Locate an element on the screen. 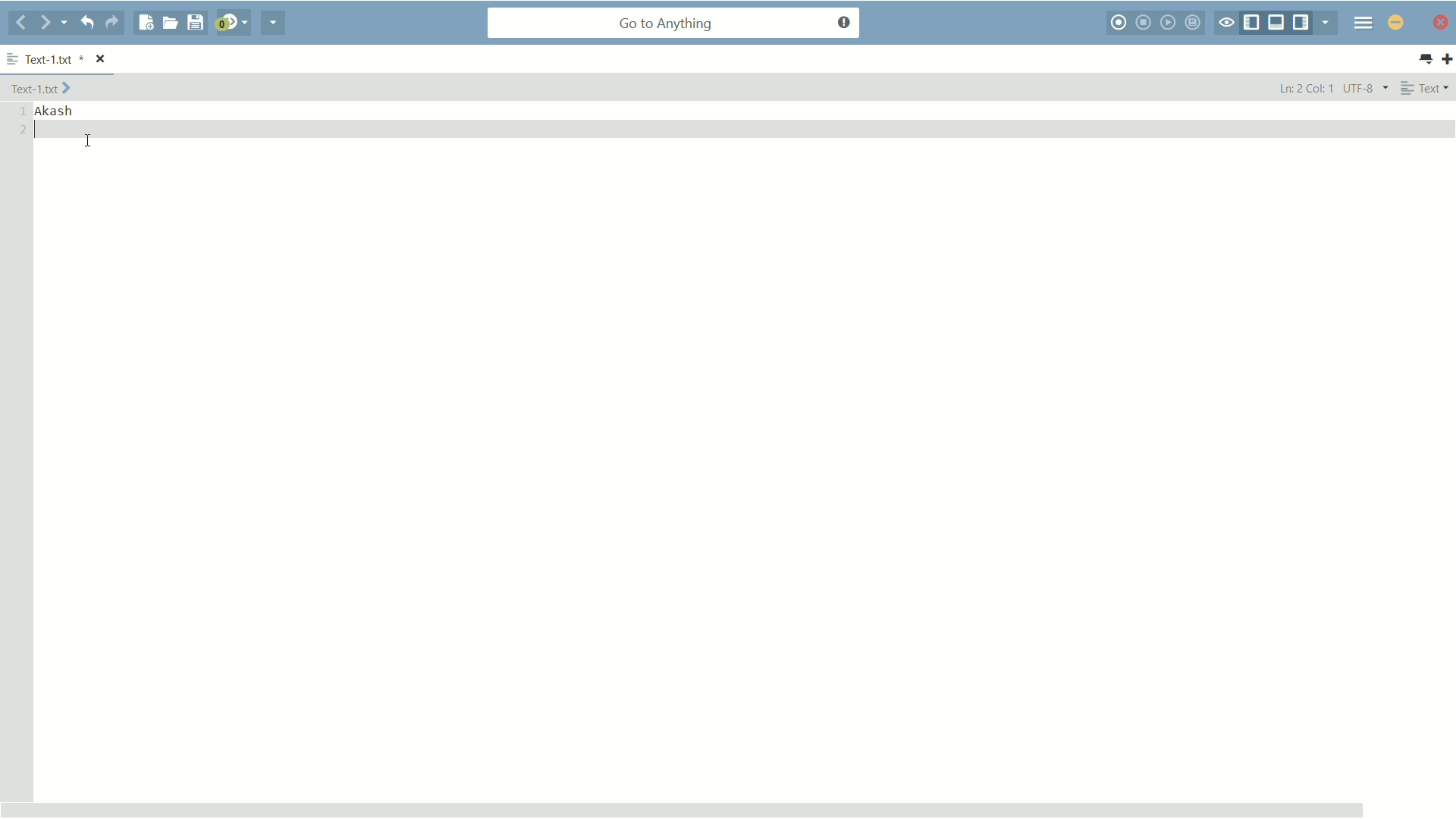 The width and height of the screenshot is (1456, 819). line number is located at coordinates (22, 120).